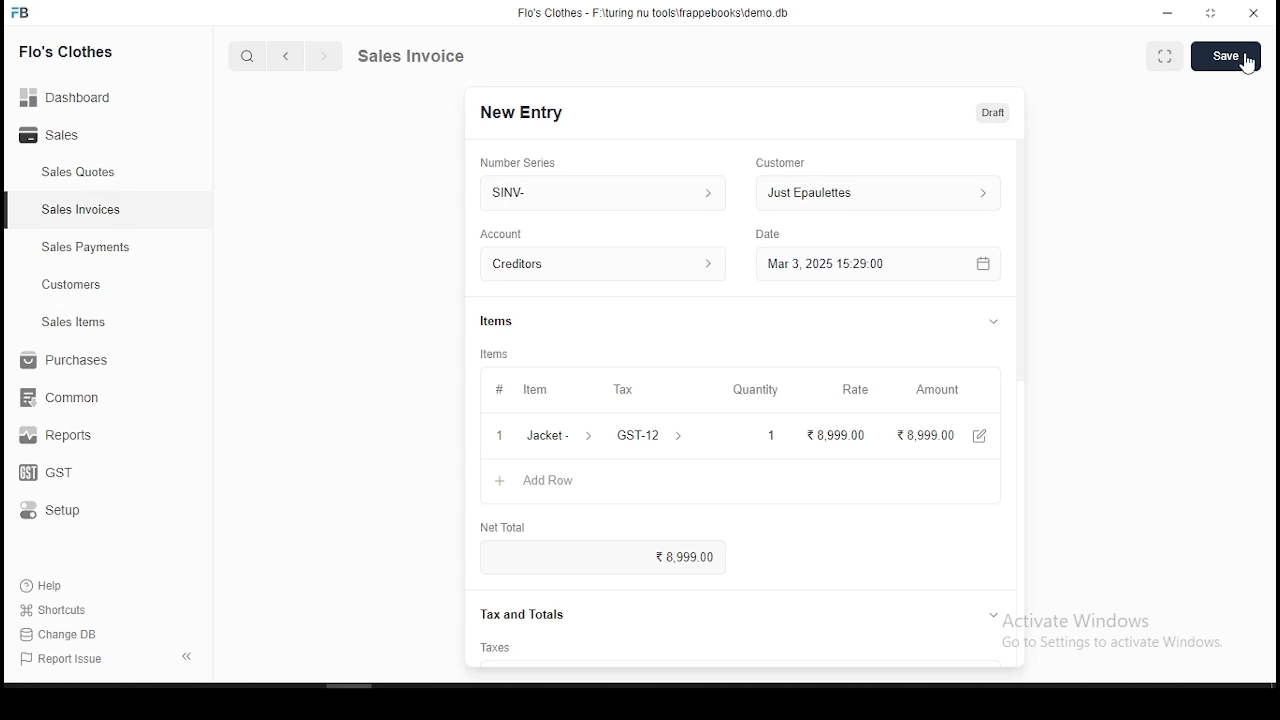 This screenshot has width=1280, height=720. I want to click on net total, so click(516, 523).